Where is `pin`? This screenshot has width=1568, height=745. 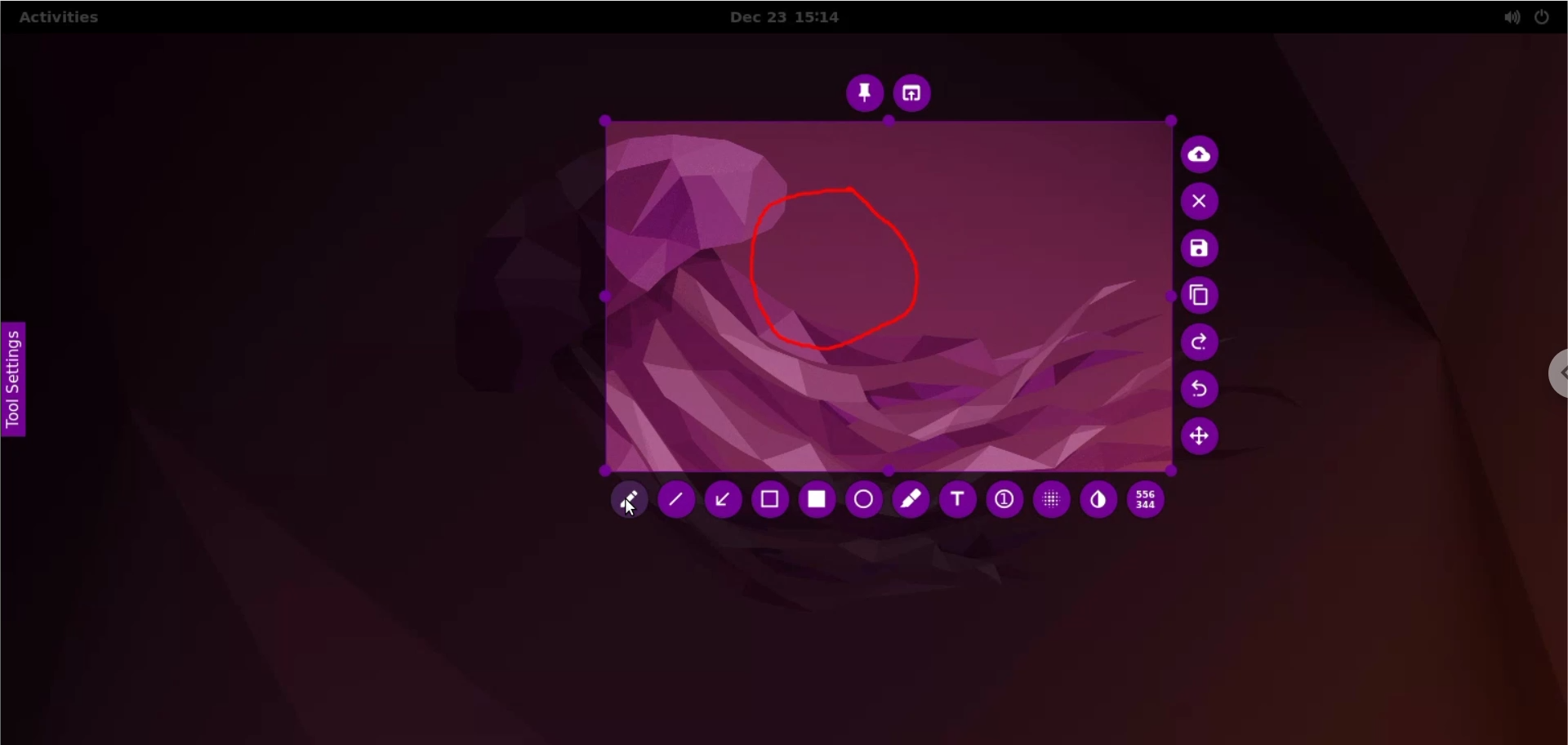 pin is located at coordinates (863, 93).